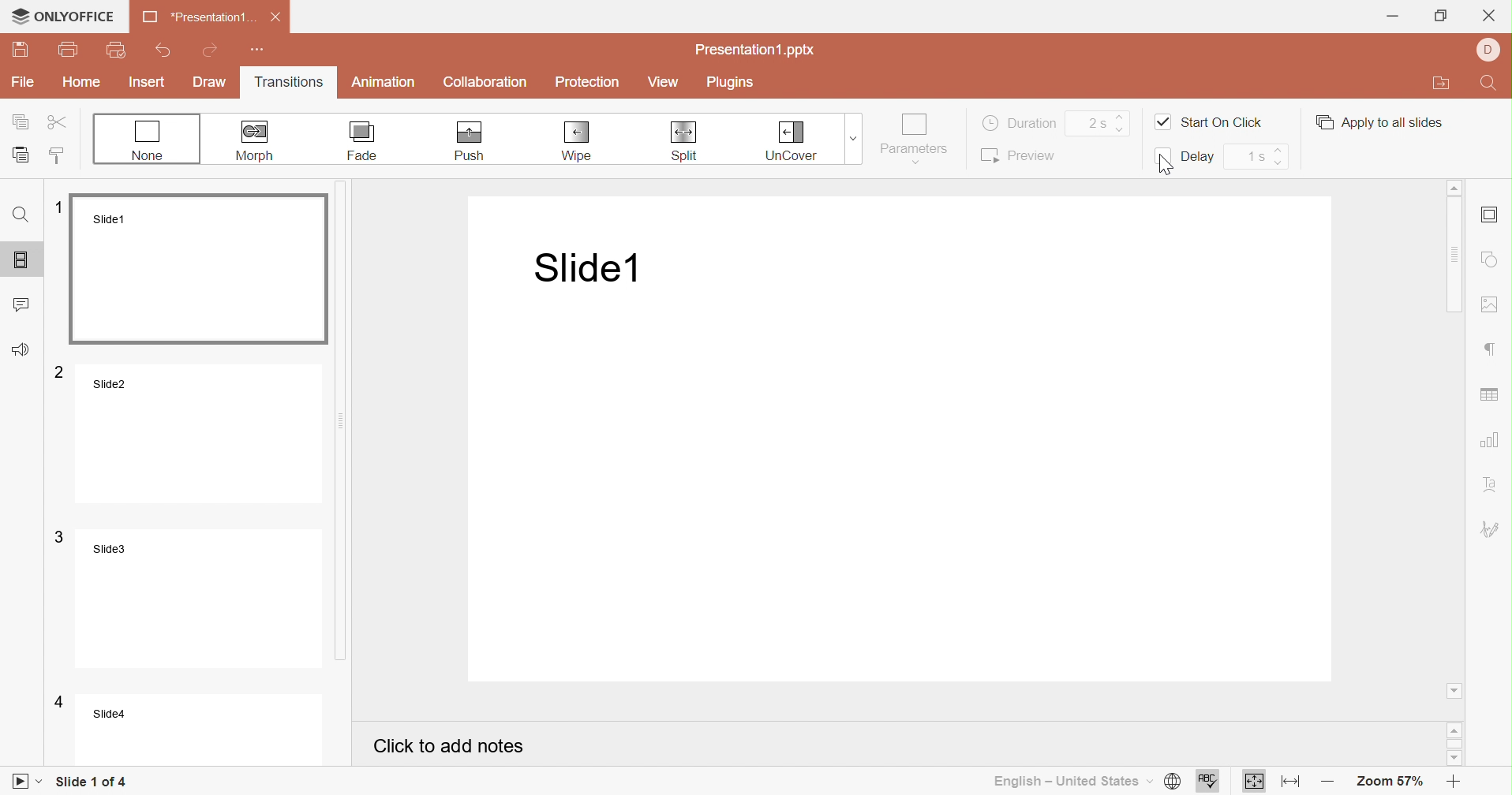 The height and width of the screenshot is (795, 1512). Describe the element at coordinates (1489, 15) in the screenshot. I see `Close` at that location.